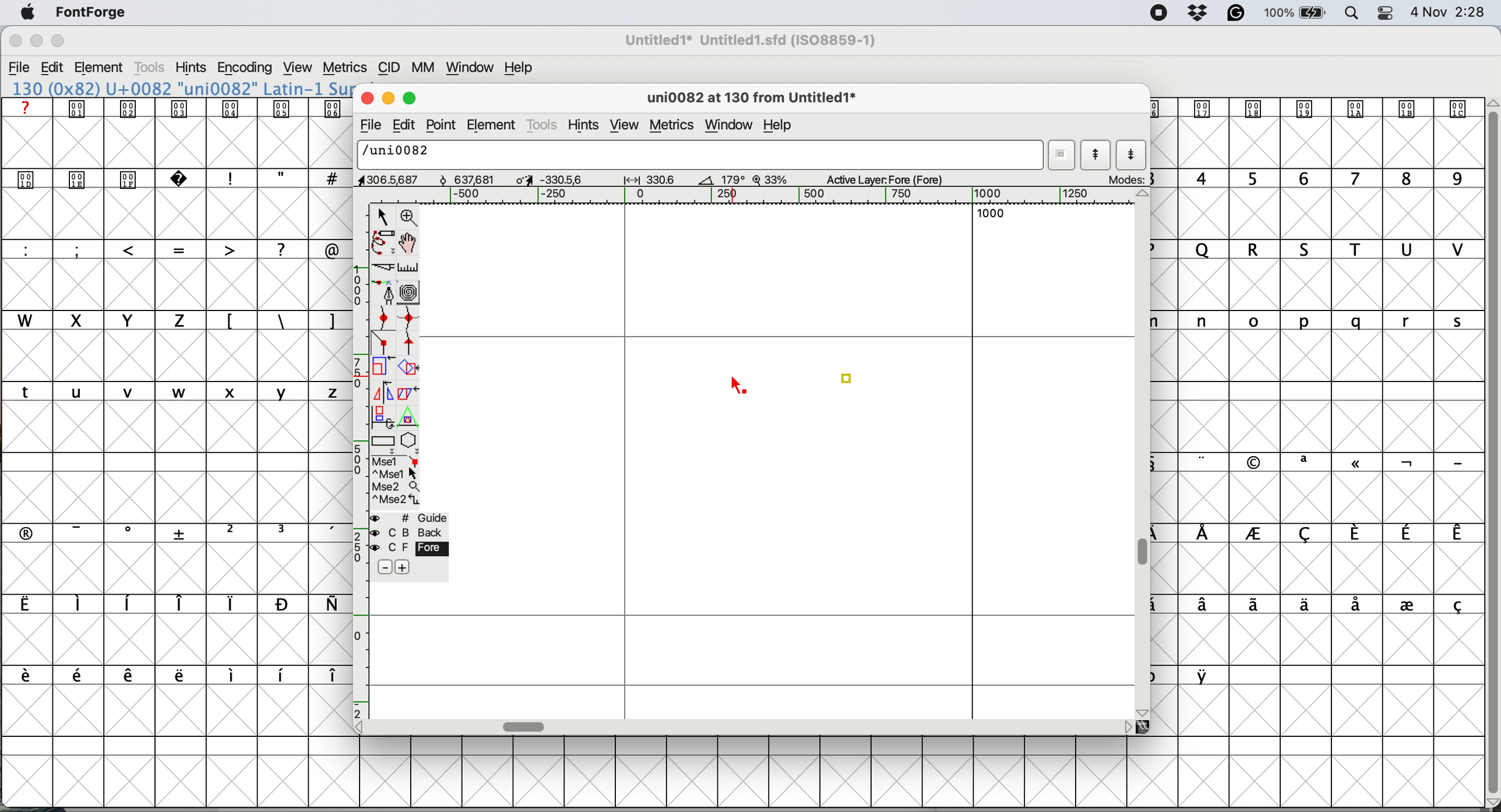 This screenshot has width=1501, height=812. What do you see at coordinates (1200, 12) in the screenshot?
I see `dropbox` at bounding box center [1200, 12].